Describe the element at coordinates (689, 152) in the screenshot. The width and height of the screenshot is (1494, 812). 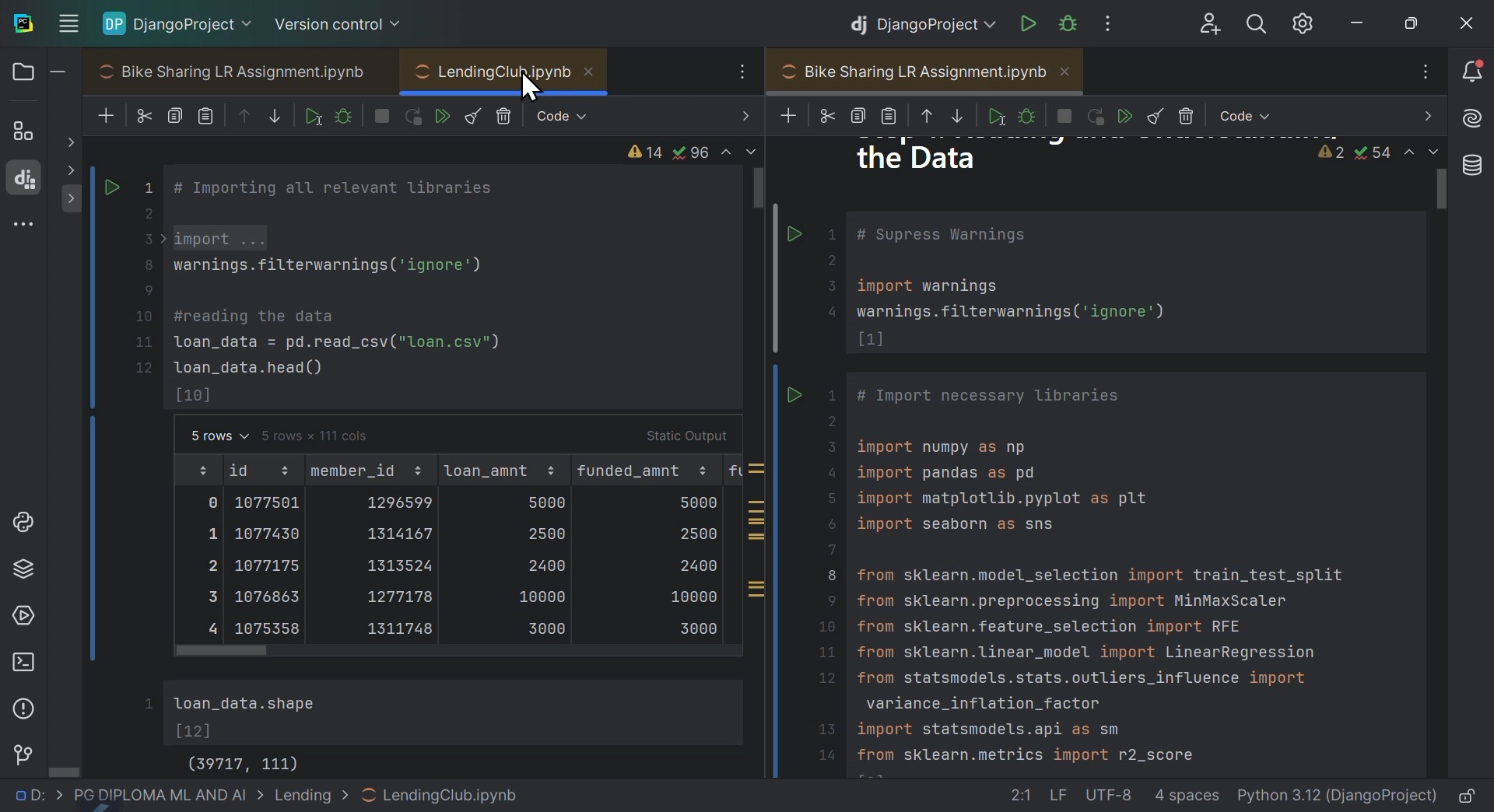
I see `warnings and issues` at that location.